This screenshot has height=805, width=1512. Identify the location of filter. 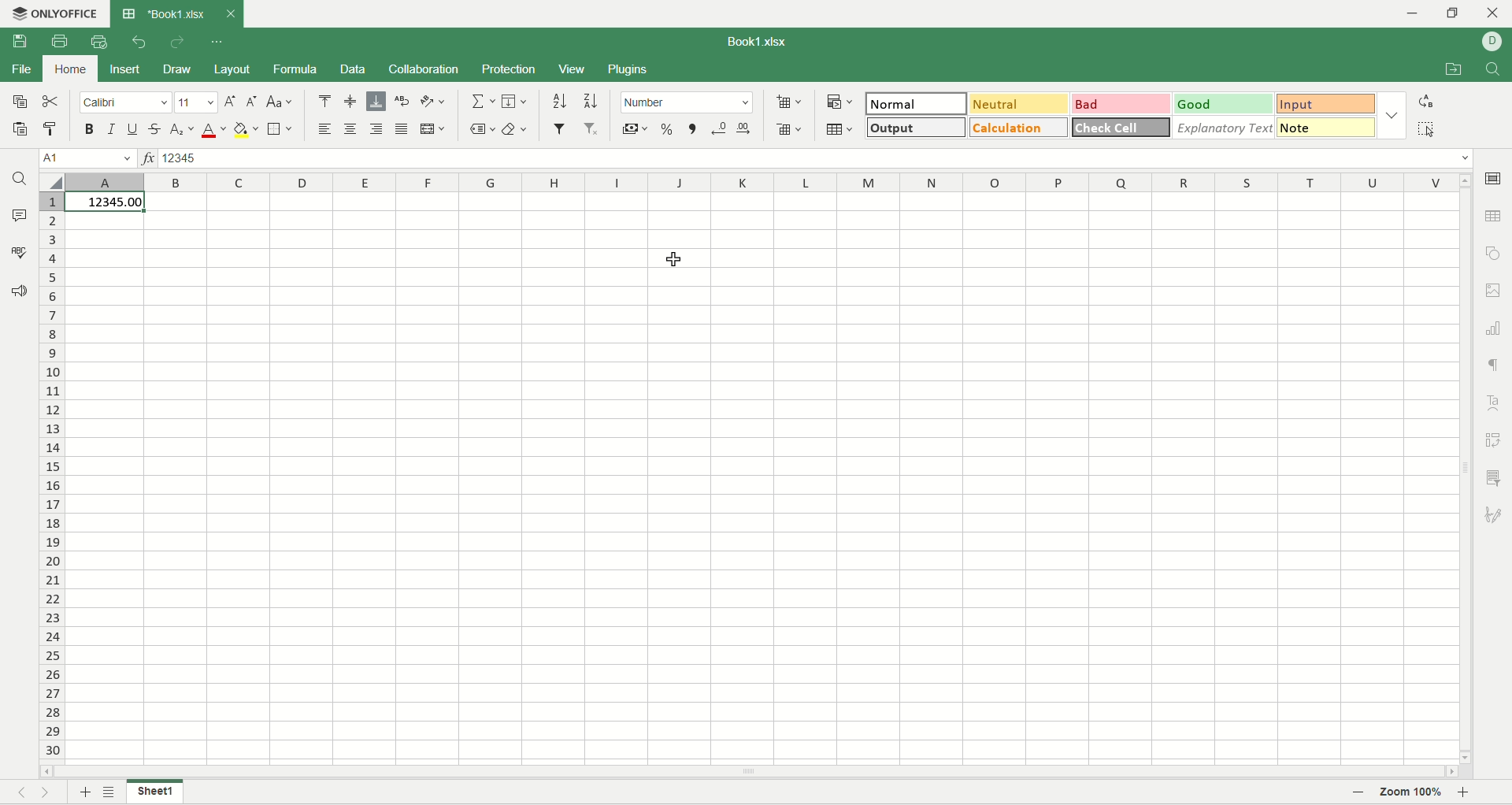
(559, 130).